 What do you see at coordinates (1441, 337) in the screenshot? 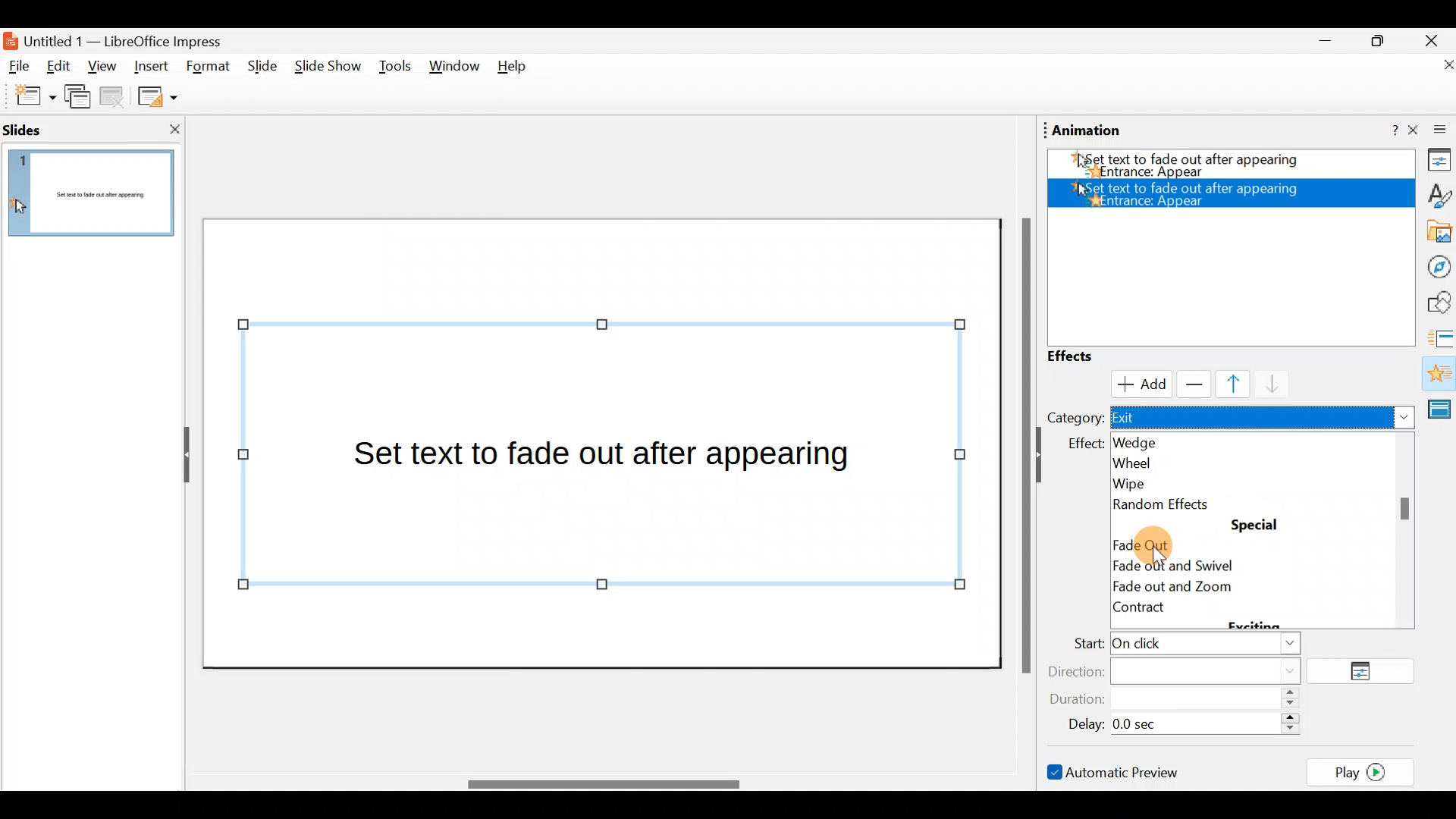
I see `Slides transition` at bounding box center [1441, 337].